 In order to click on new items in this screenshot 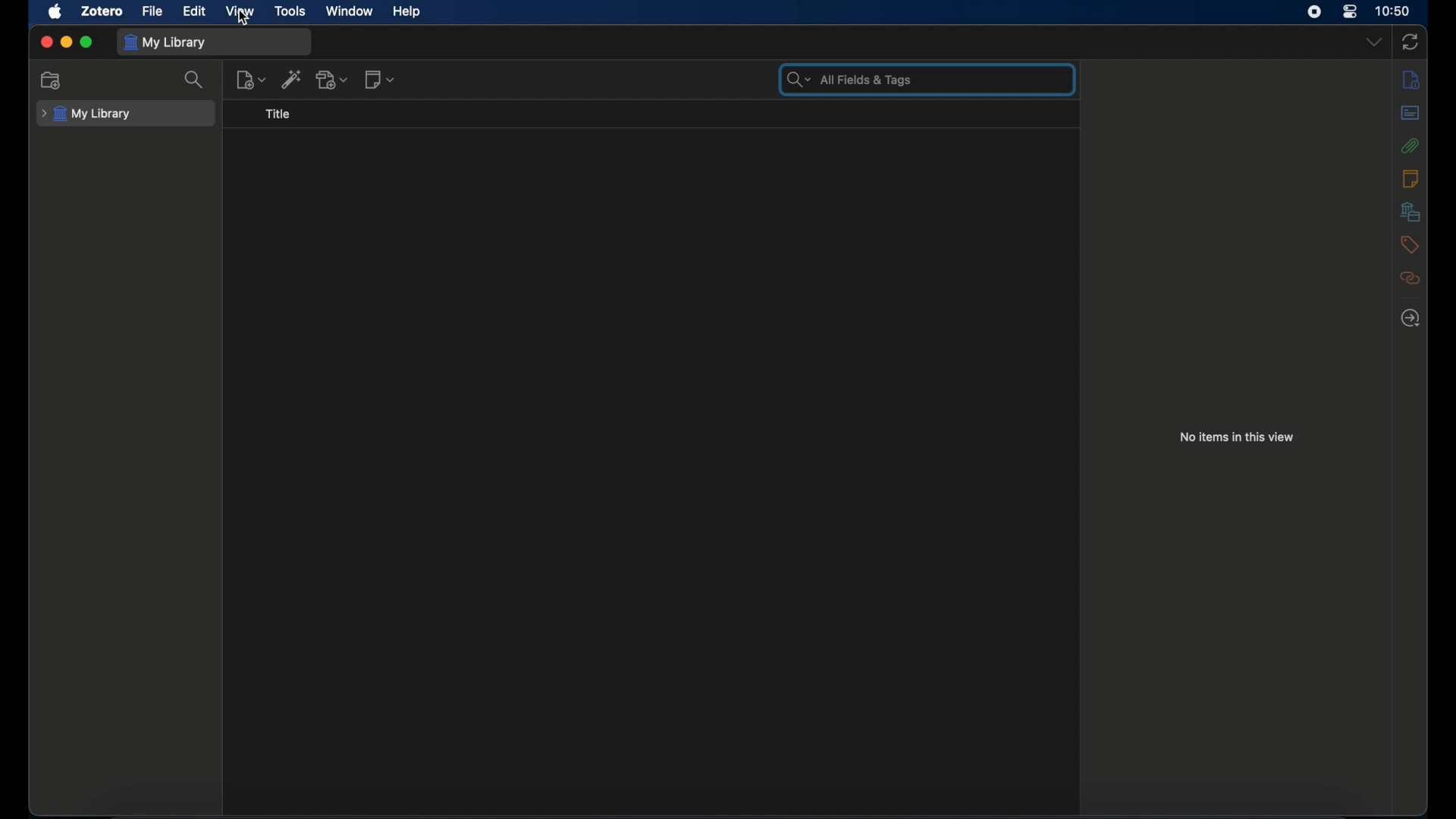, I will do `click(381, 79)`.